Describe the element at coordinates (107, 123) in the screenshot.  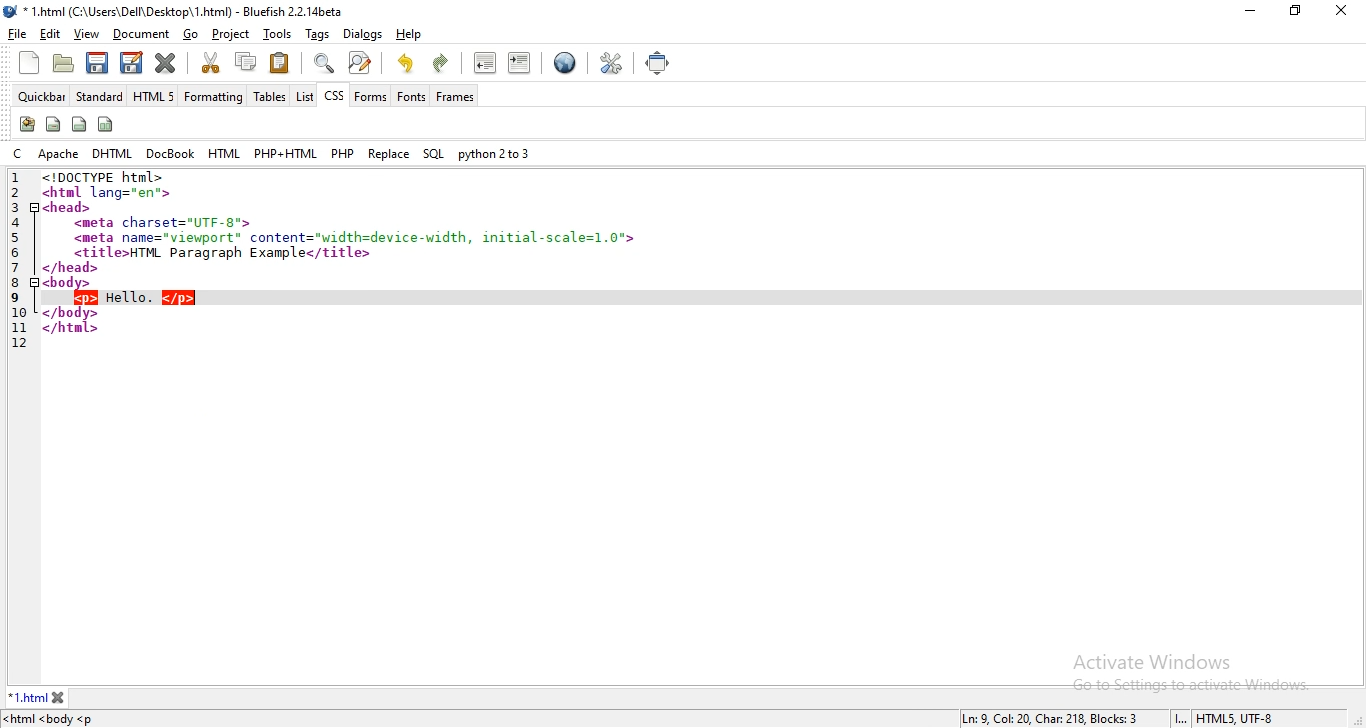
I see `columns` at that location.